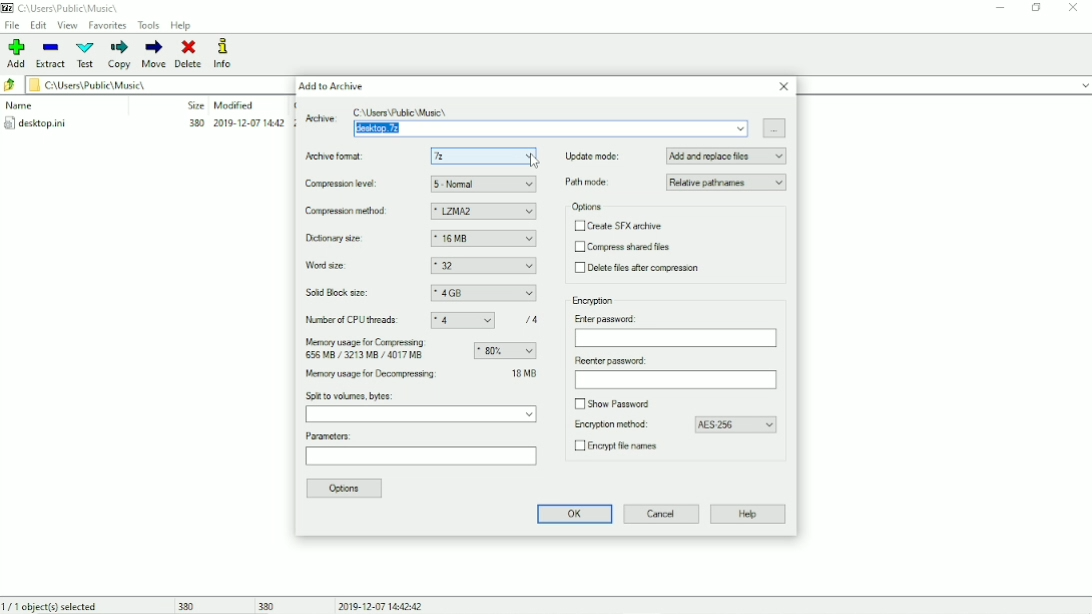  Describe the element at coordinates (331, 86) in the screenshot. I see `Add to Archive` at that location.